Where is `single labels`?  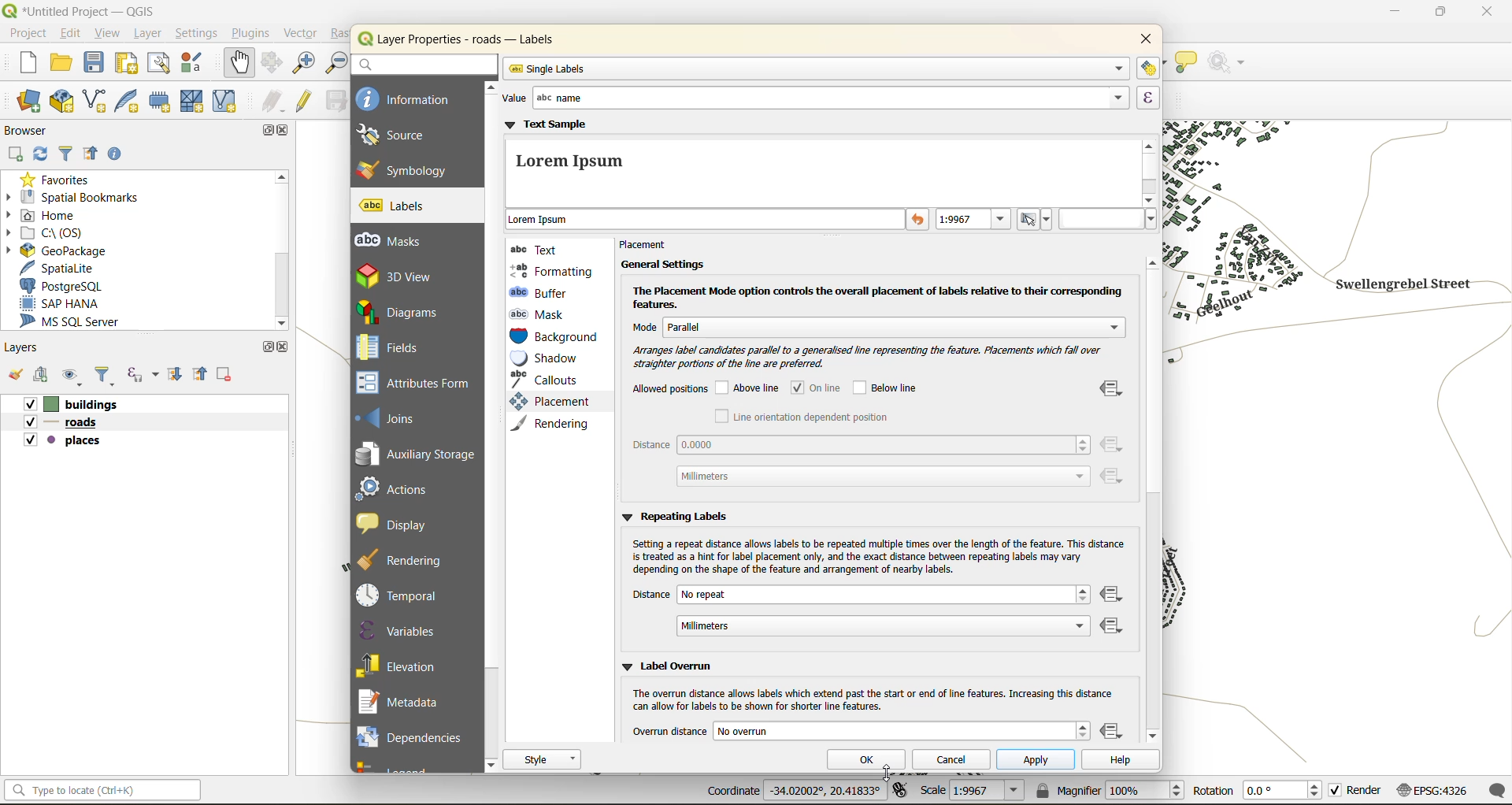 single labels is located at coordinates (816, 69).